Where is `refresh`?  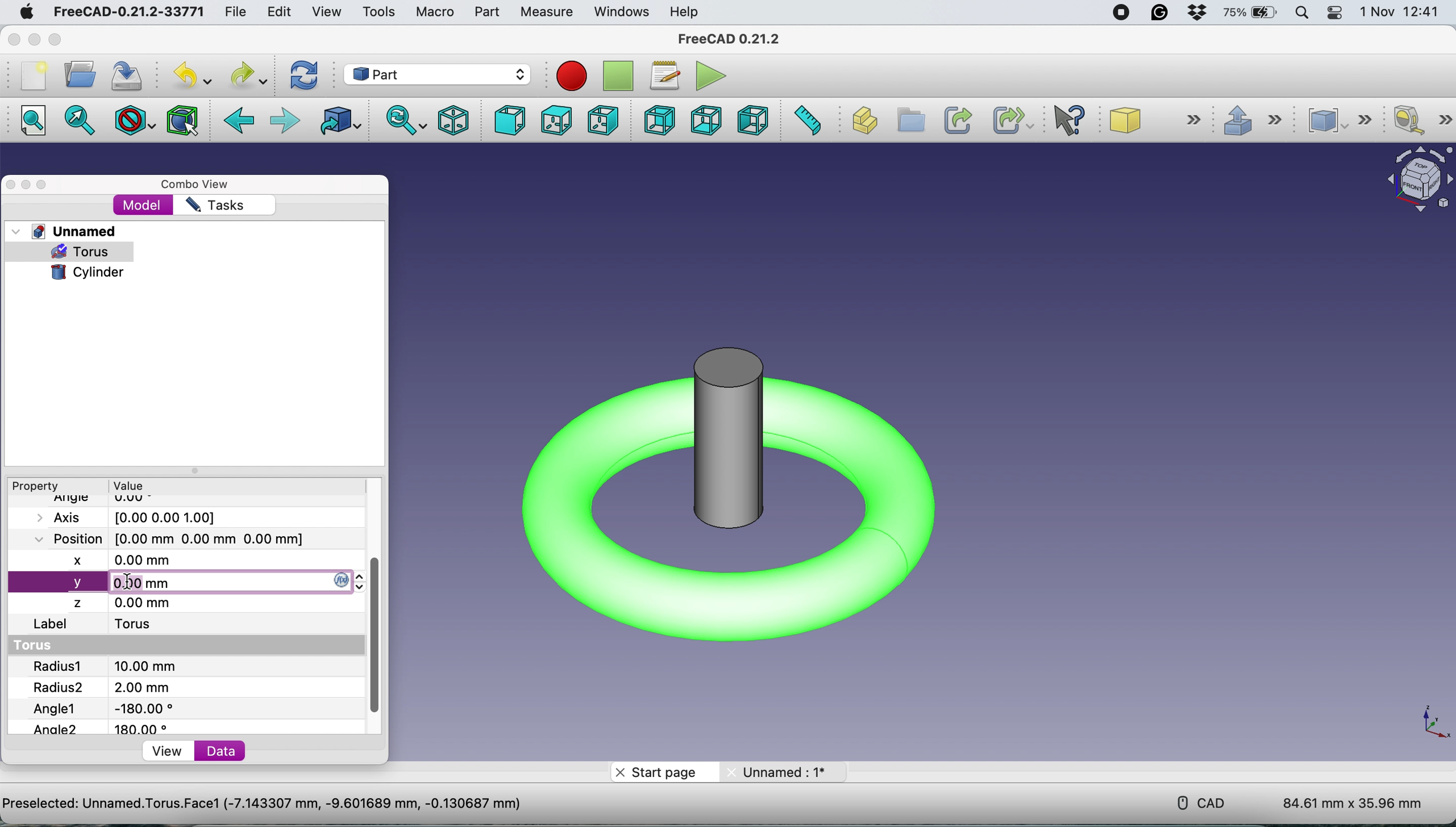
refresh is located at coordinates (307, 76).